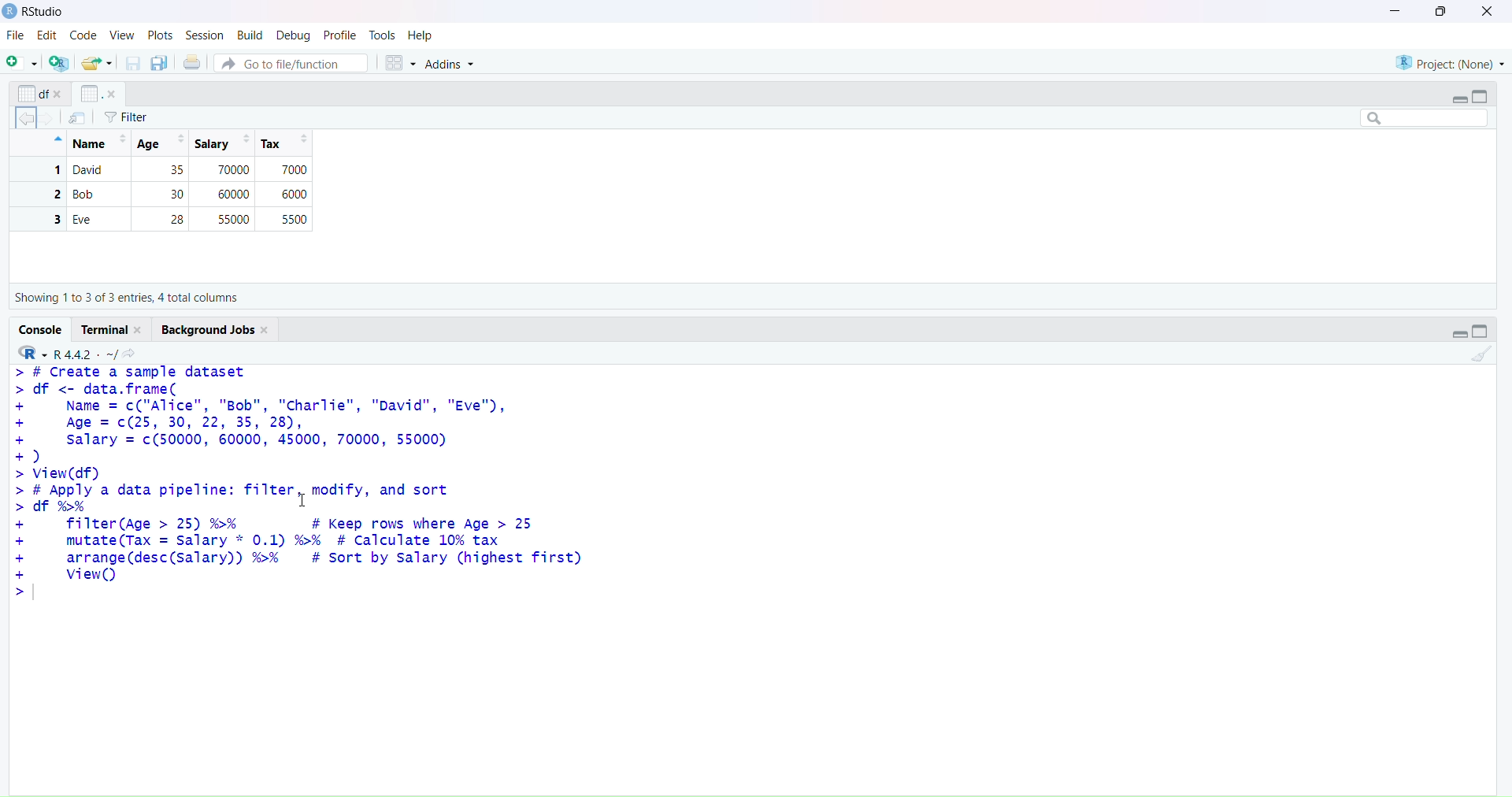 The height and width of the screenshot is (797, 1512). Describe the element at coordinates (1452, 333) in the screenshot. I see `expand` at that location.